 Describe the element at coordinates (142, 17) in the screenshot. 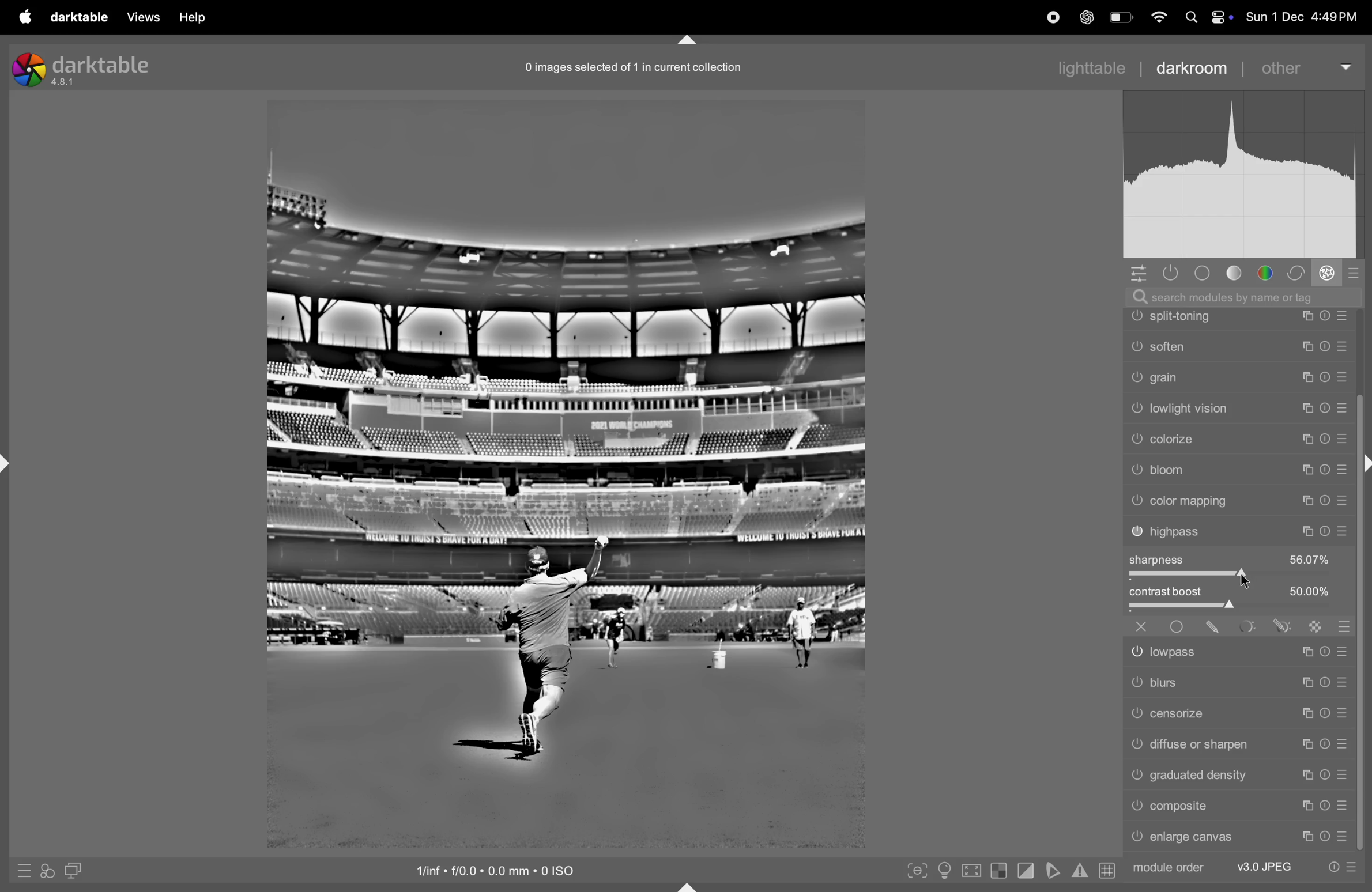

I see `views` at that location.